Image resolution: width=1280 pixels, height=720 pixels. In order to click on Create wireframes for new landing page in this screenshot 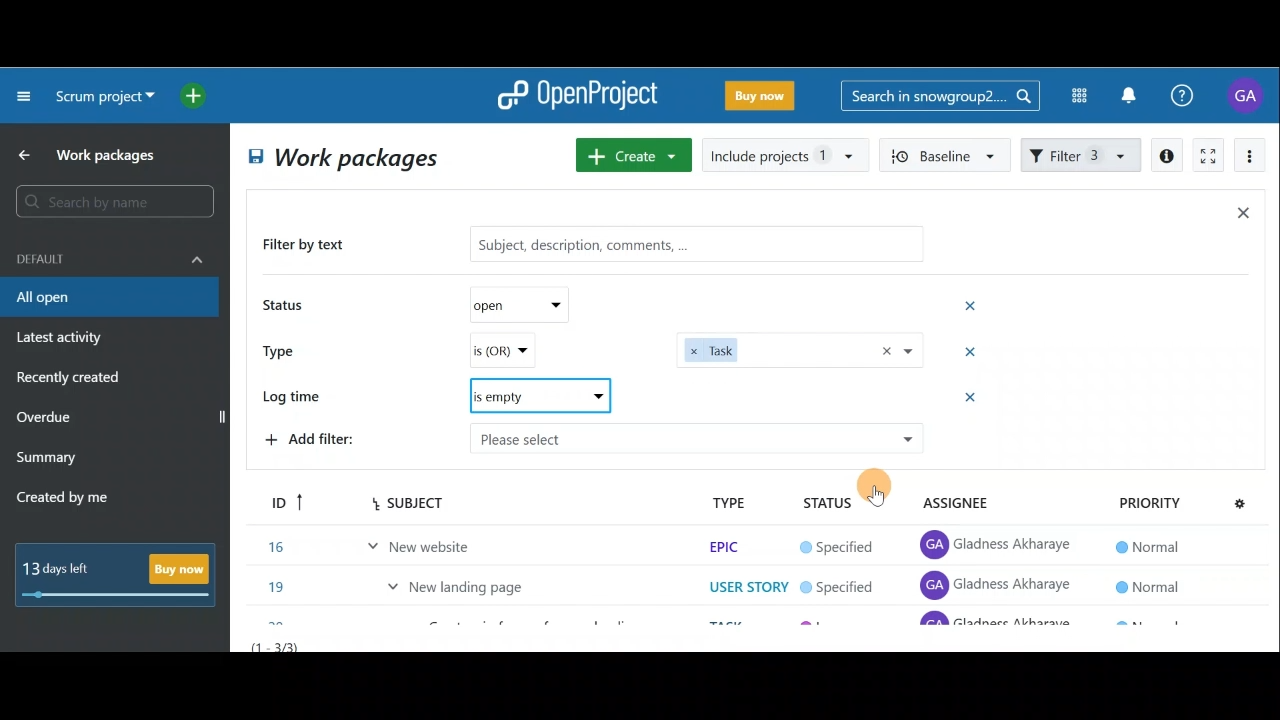, I will do `click(534, 586)`.